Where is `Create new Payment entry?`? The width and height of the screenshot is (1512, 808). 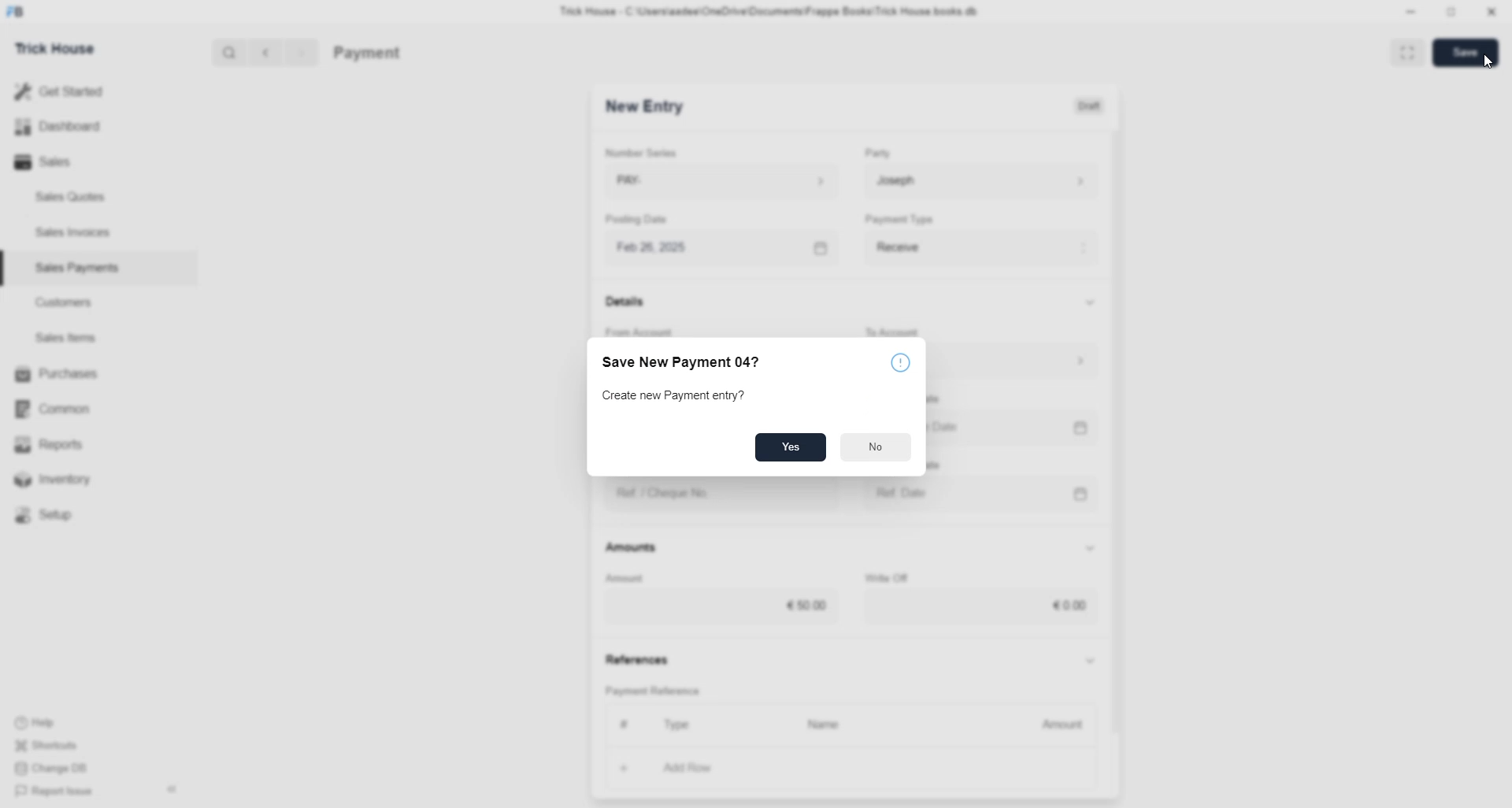
Create new Payment entry? is located at coordinates (673, 396).